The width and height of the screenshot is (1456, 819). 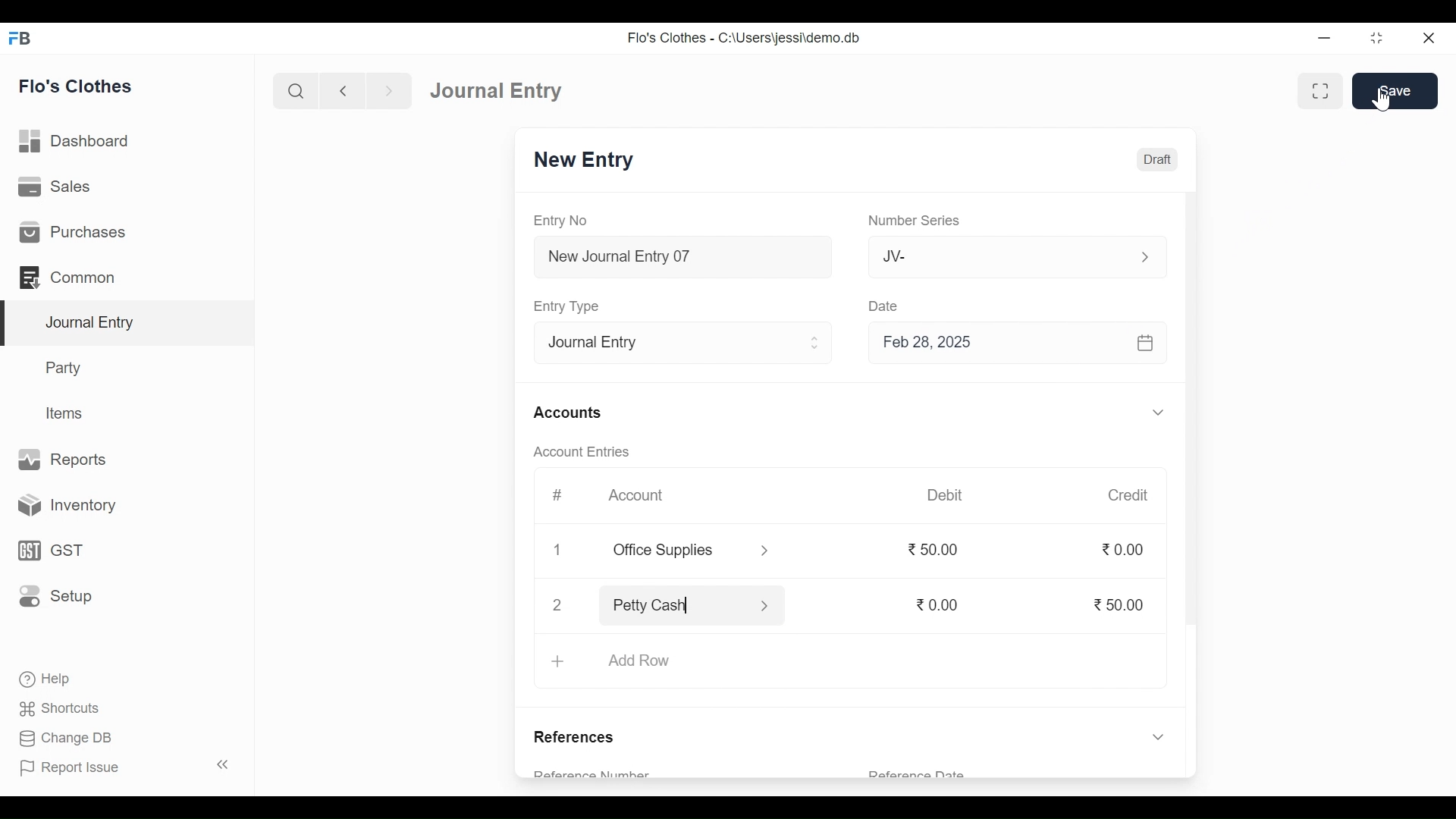 What do you see at coordinates (617, 662) in the screenshot?
I see `+ Add Row` at bounding box center [617, 662].